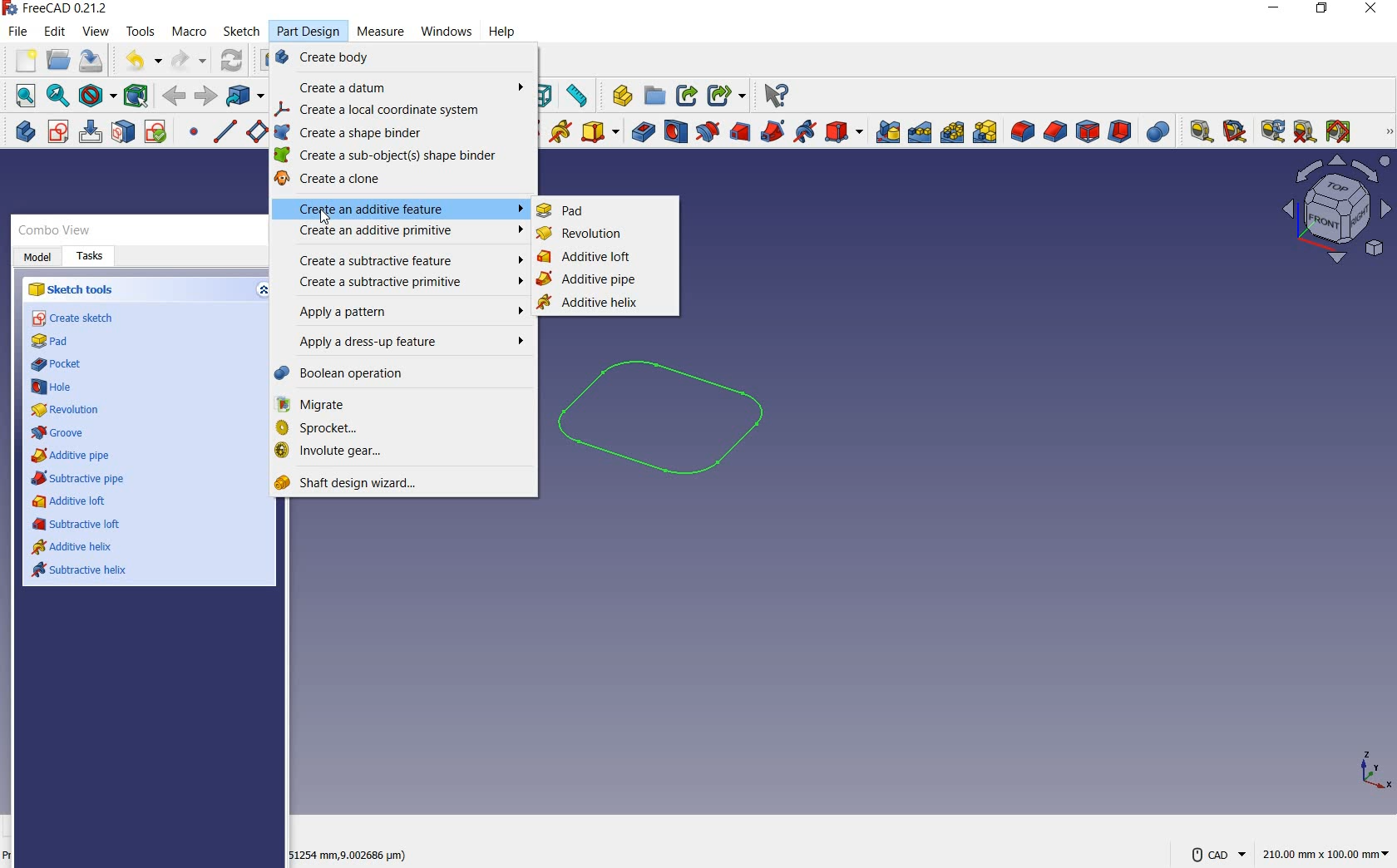  Describe the element at coordinates (207, 96) in the screenshot. I see `back` at that location.